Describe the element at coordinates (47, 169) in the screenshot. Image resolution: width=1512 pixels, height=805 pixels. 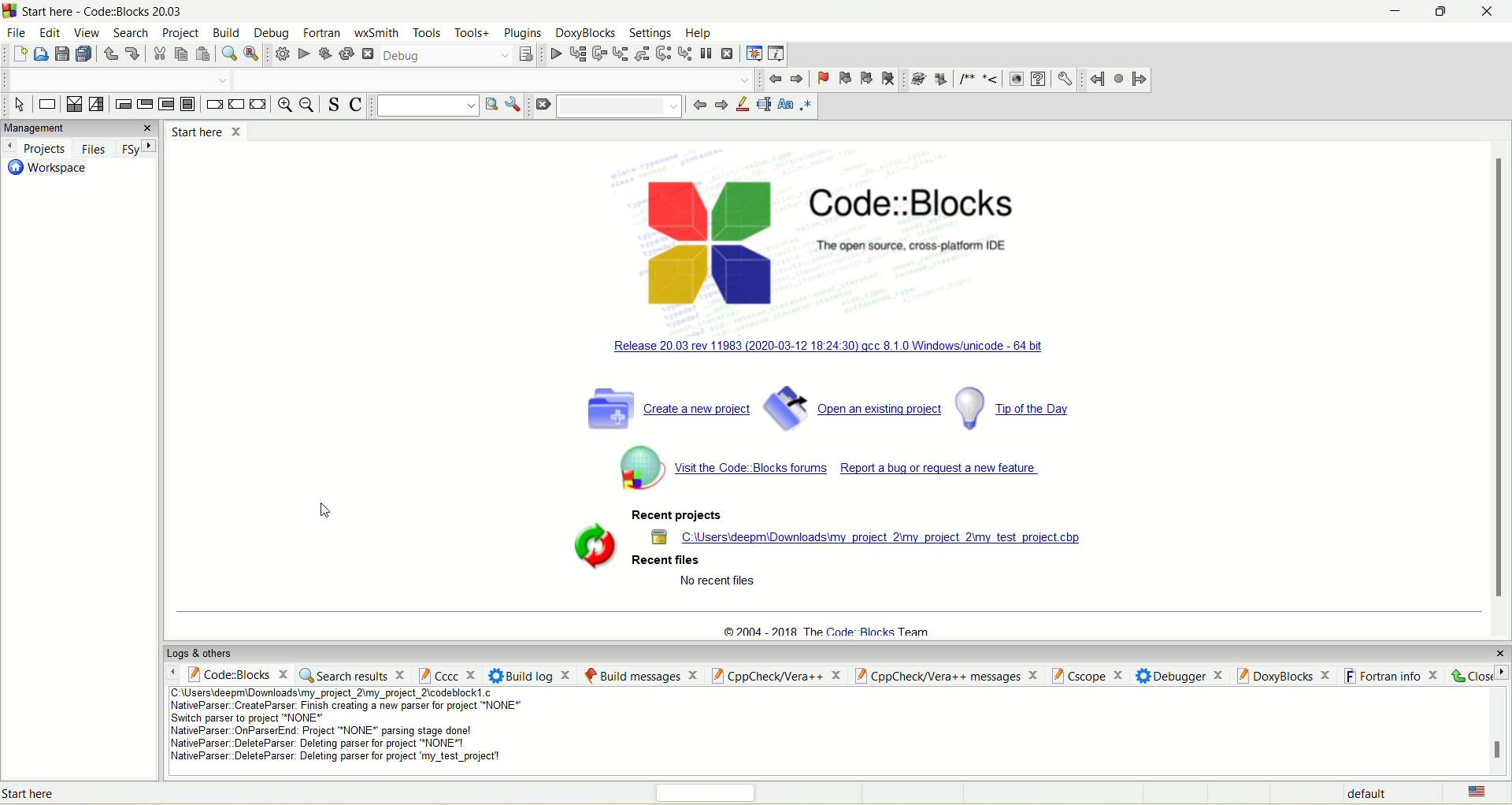
I see `workspace` at that location.